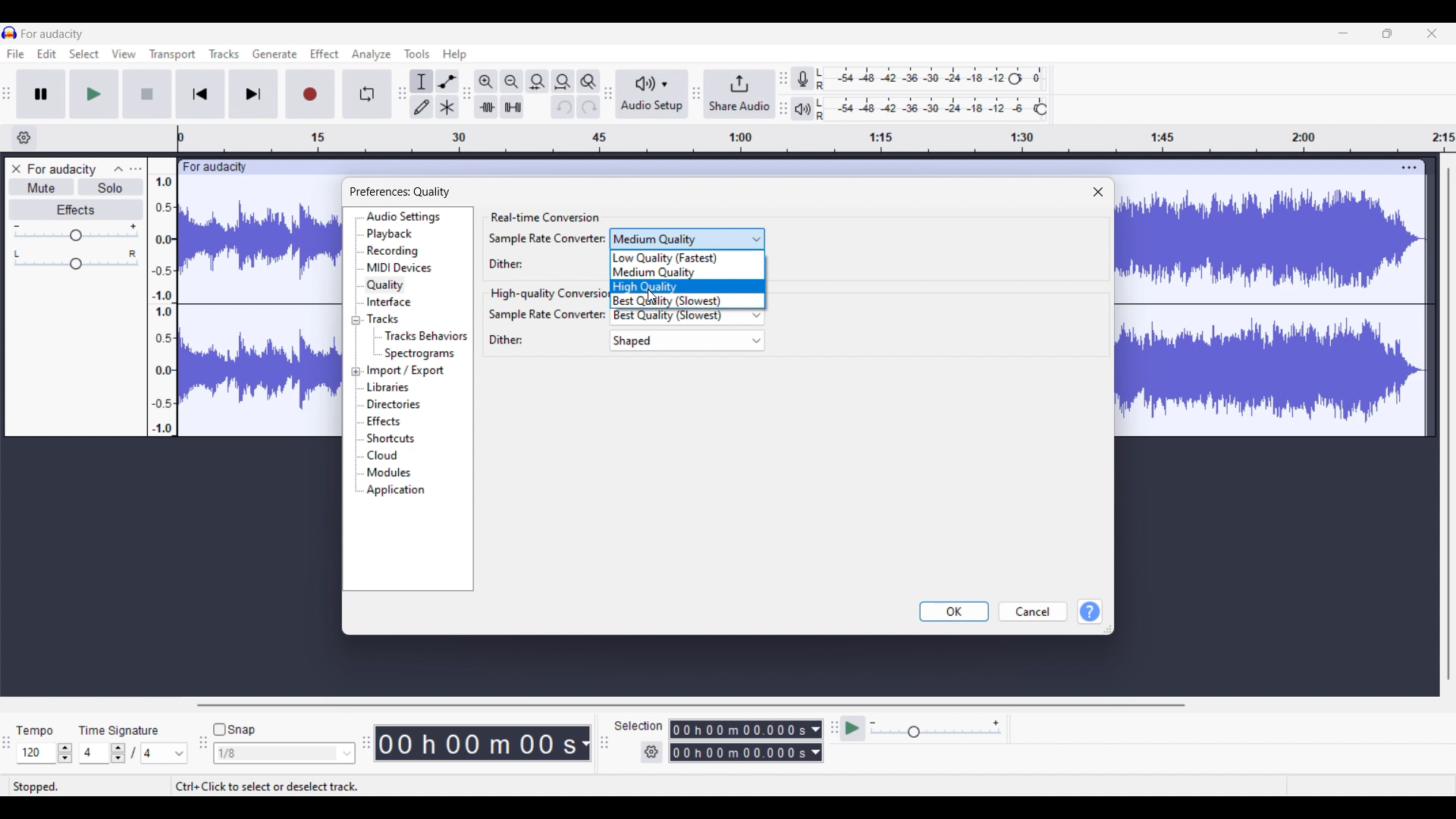  What do you see at coordinates (61, 171) in the screenshot?
I see `Project name` at bounding box center [61, 171].